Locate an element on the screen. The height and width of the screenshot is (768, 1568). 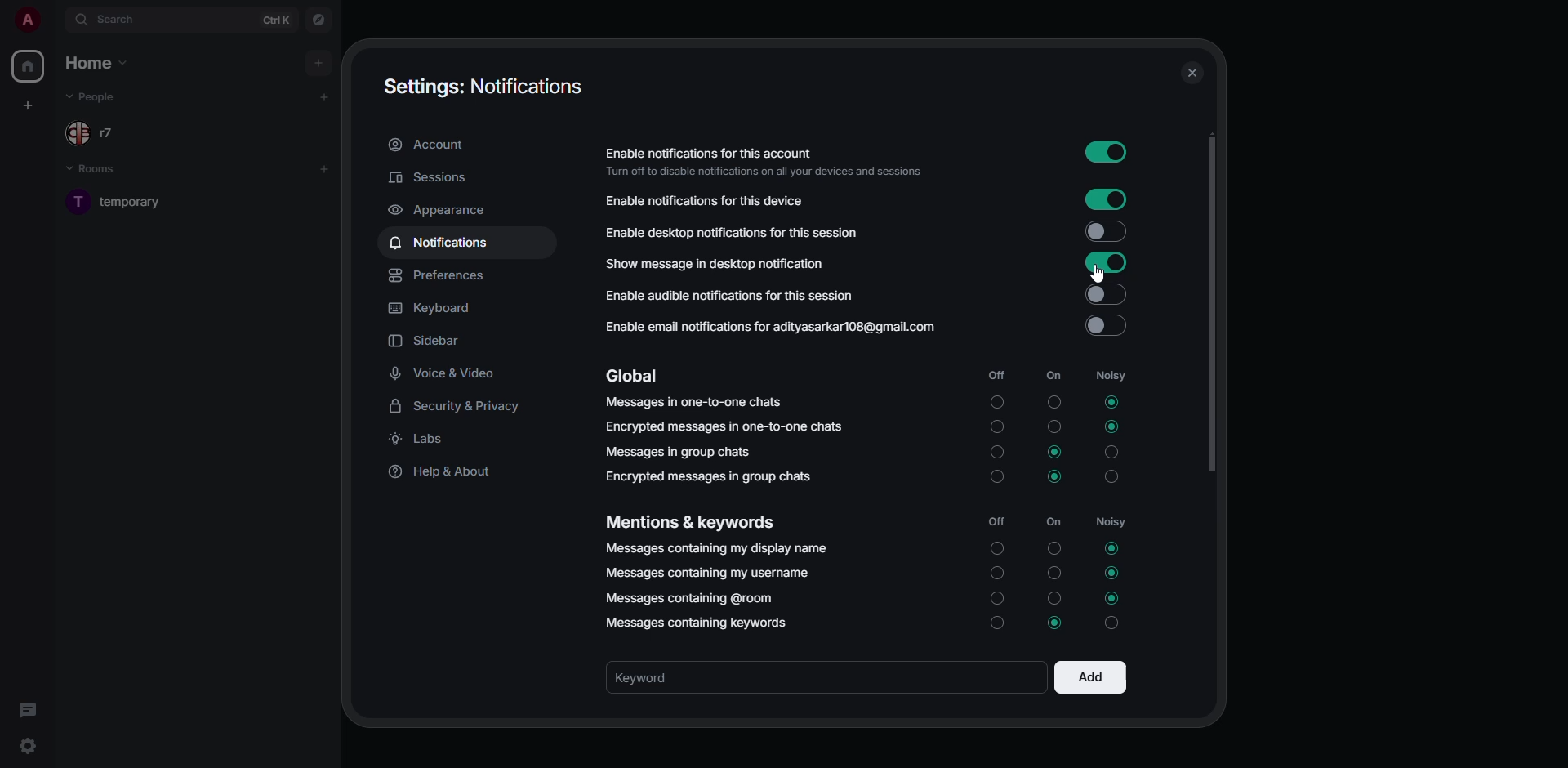
show message in desktop notification is located at coordinates (715, 264).